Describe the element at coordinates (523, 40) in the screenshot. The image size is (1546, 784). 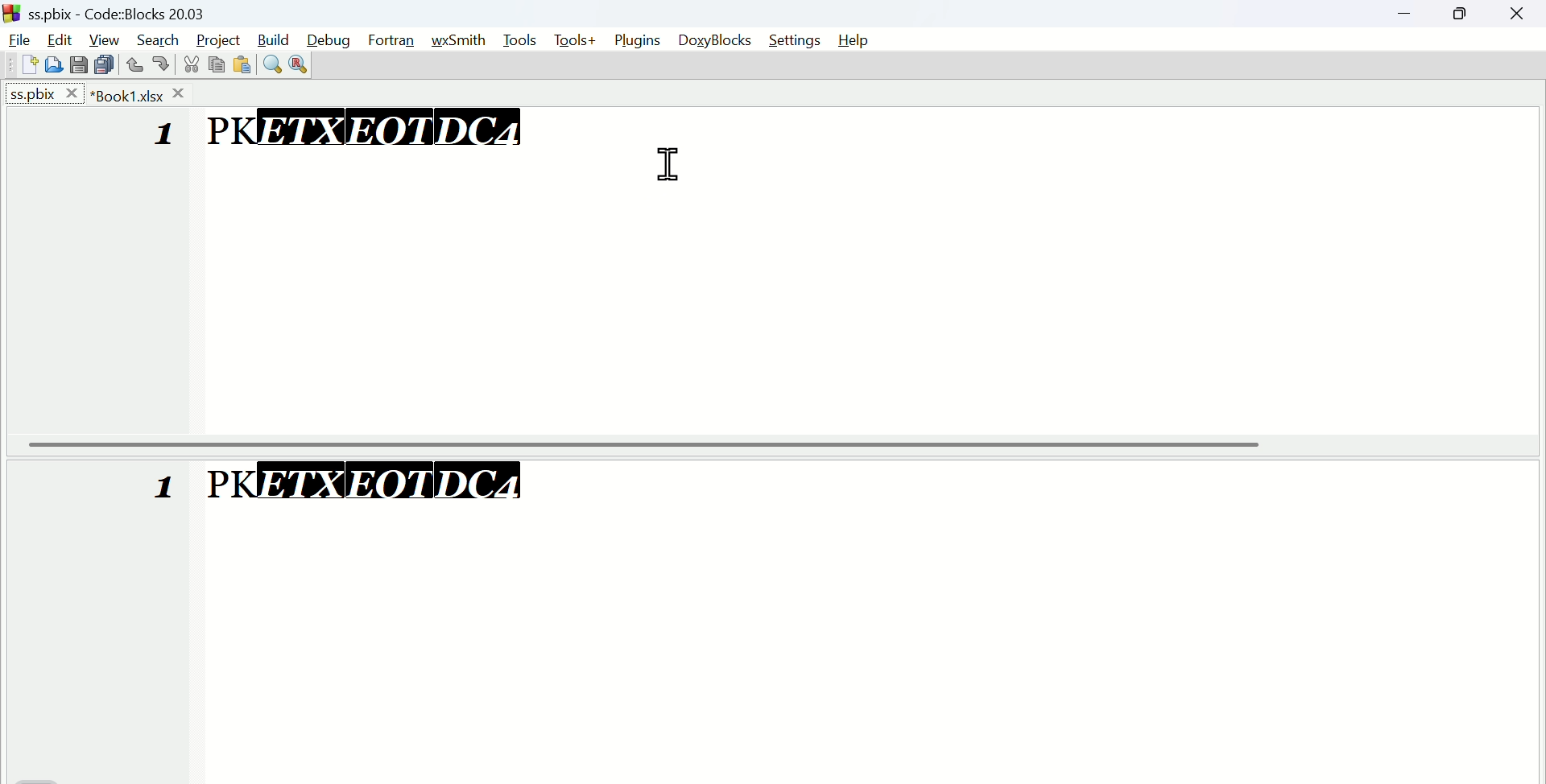
I see `` at that location.